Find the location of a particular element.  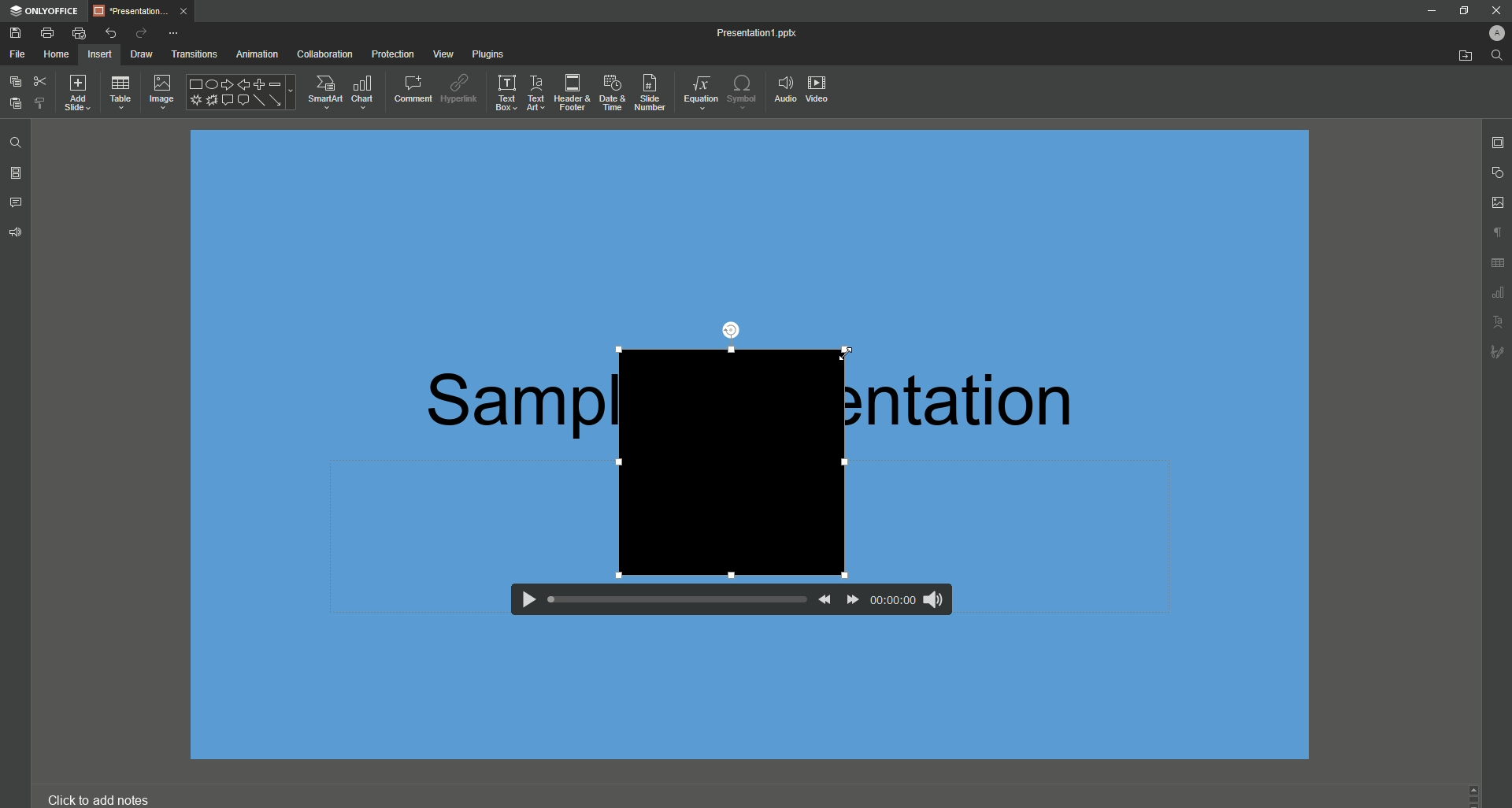

Video is located at coordinates (819, 89).